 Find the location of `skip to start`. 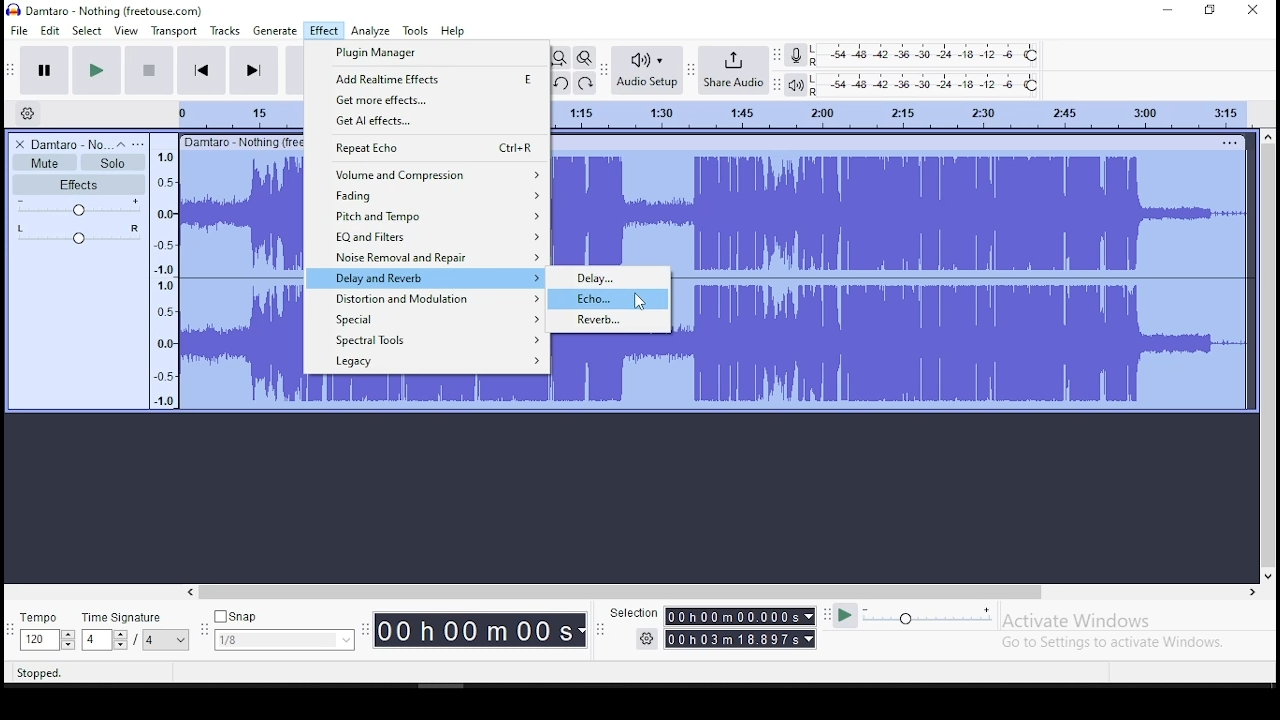

skip to start is located at coordinates (202, 69).